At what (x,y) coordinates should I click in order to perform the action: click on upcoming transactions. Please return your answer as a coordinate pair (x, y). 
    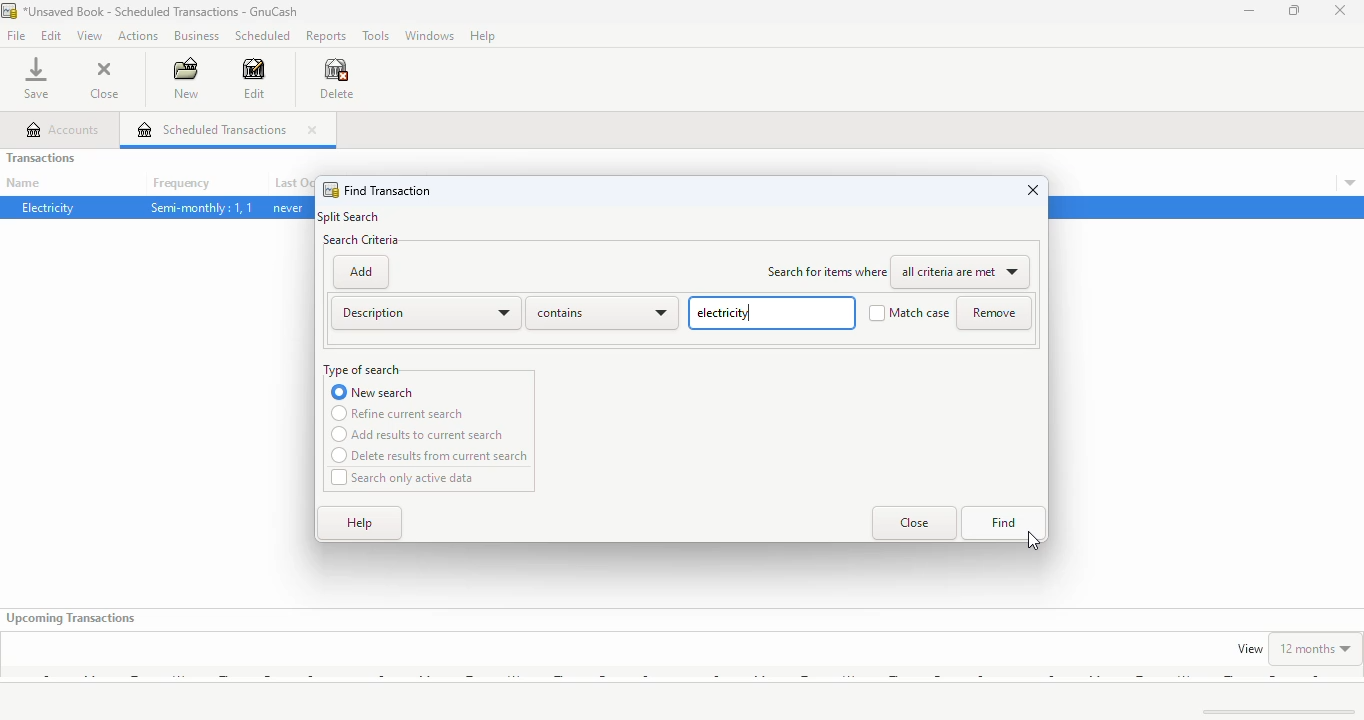
    Looking at the image, I should click on (72, 618).